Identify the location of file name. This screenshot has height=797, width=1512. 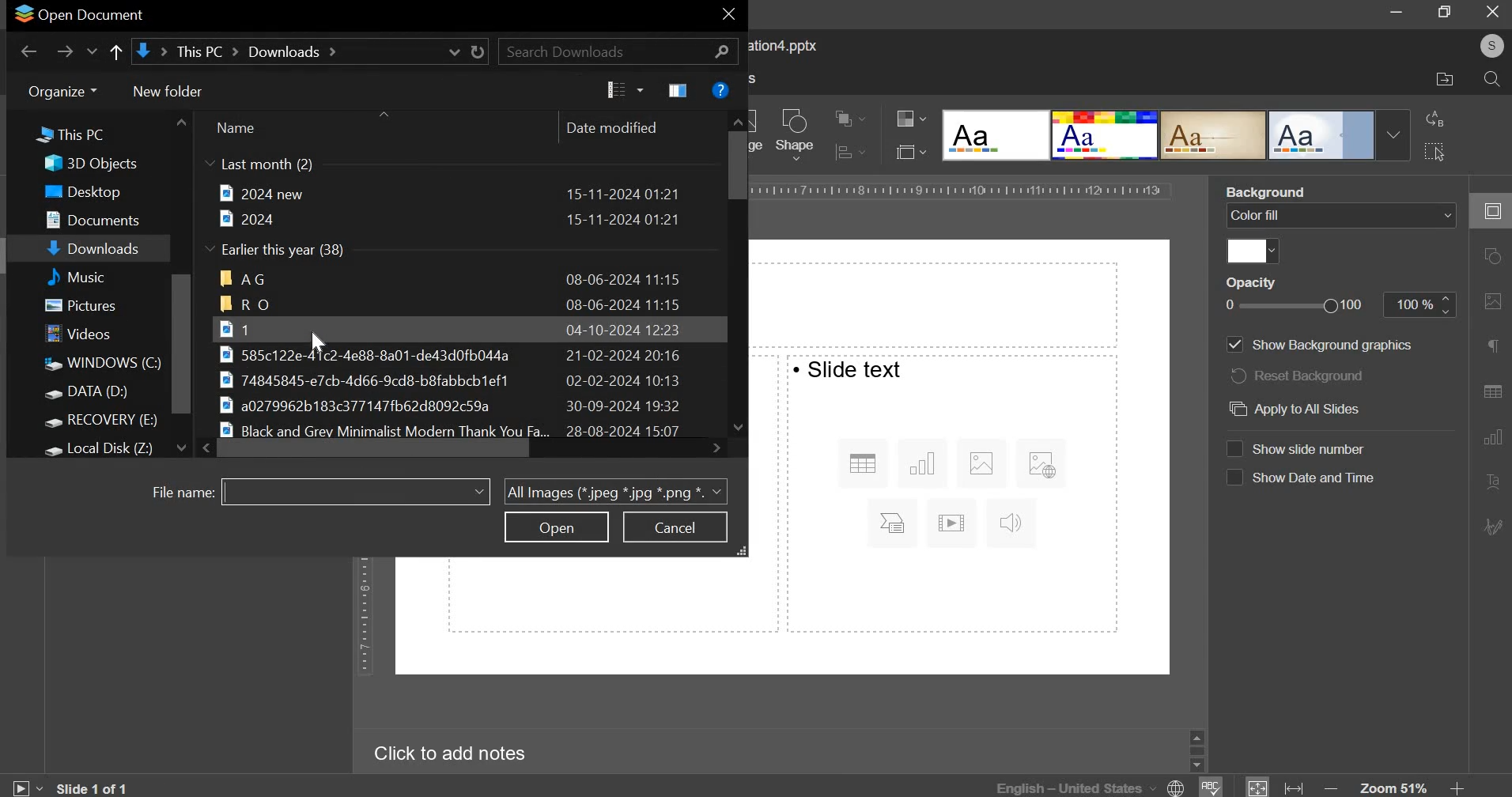
(181, 493).